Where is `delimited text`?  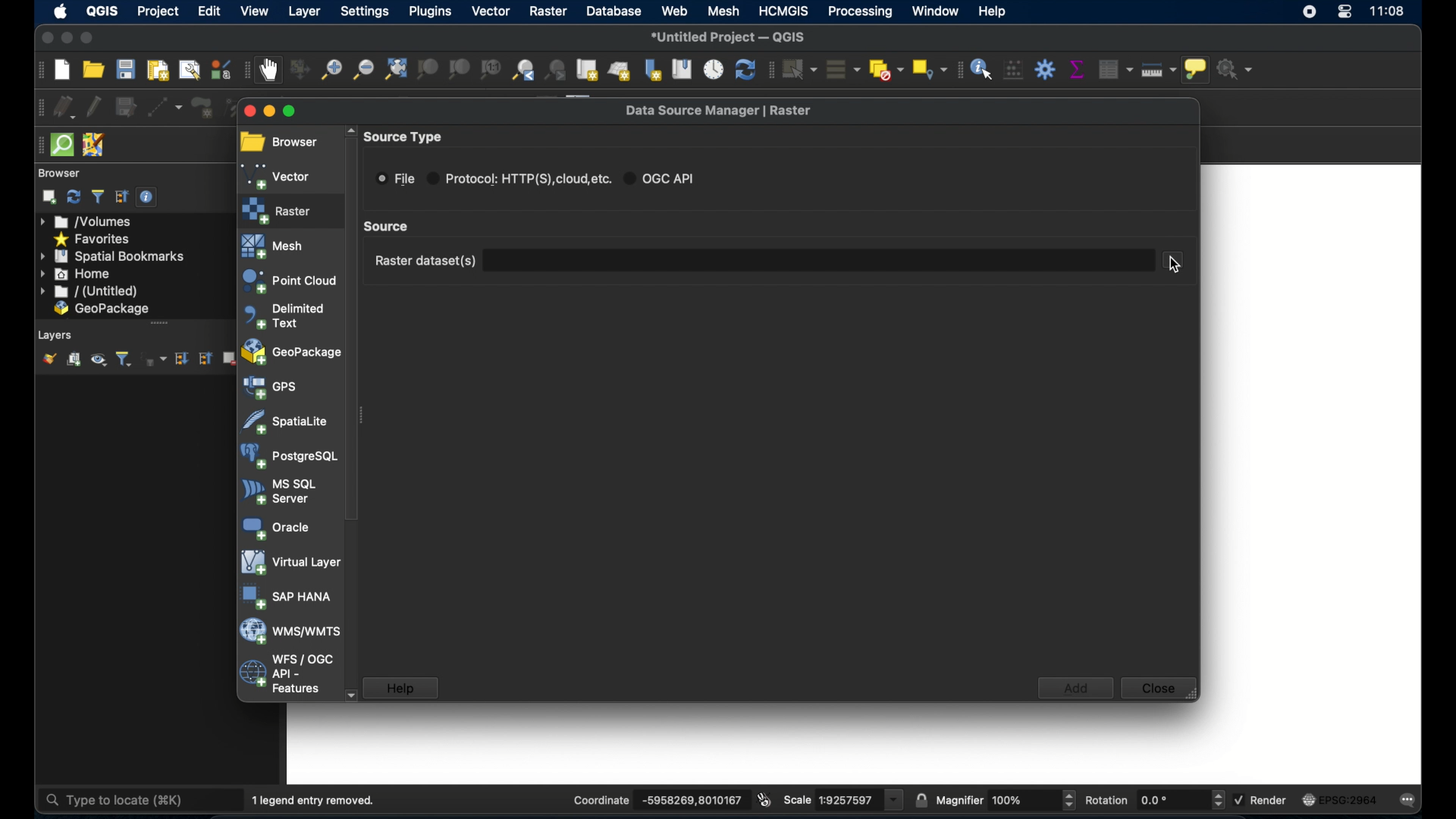 delimited text is located at coordinates (284, 317).